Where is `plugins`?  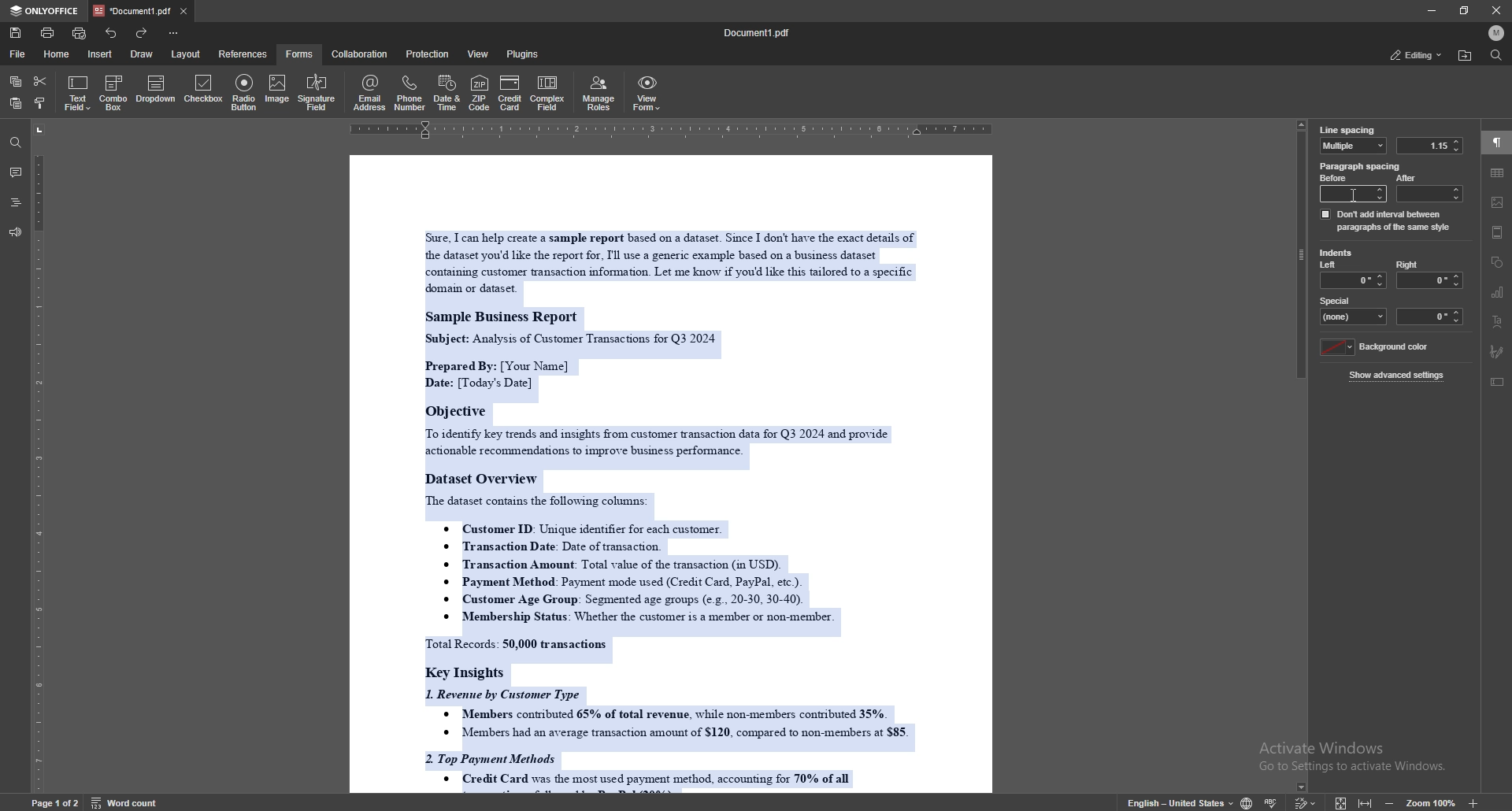 plugins is located at coordinates (524, 54).